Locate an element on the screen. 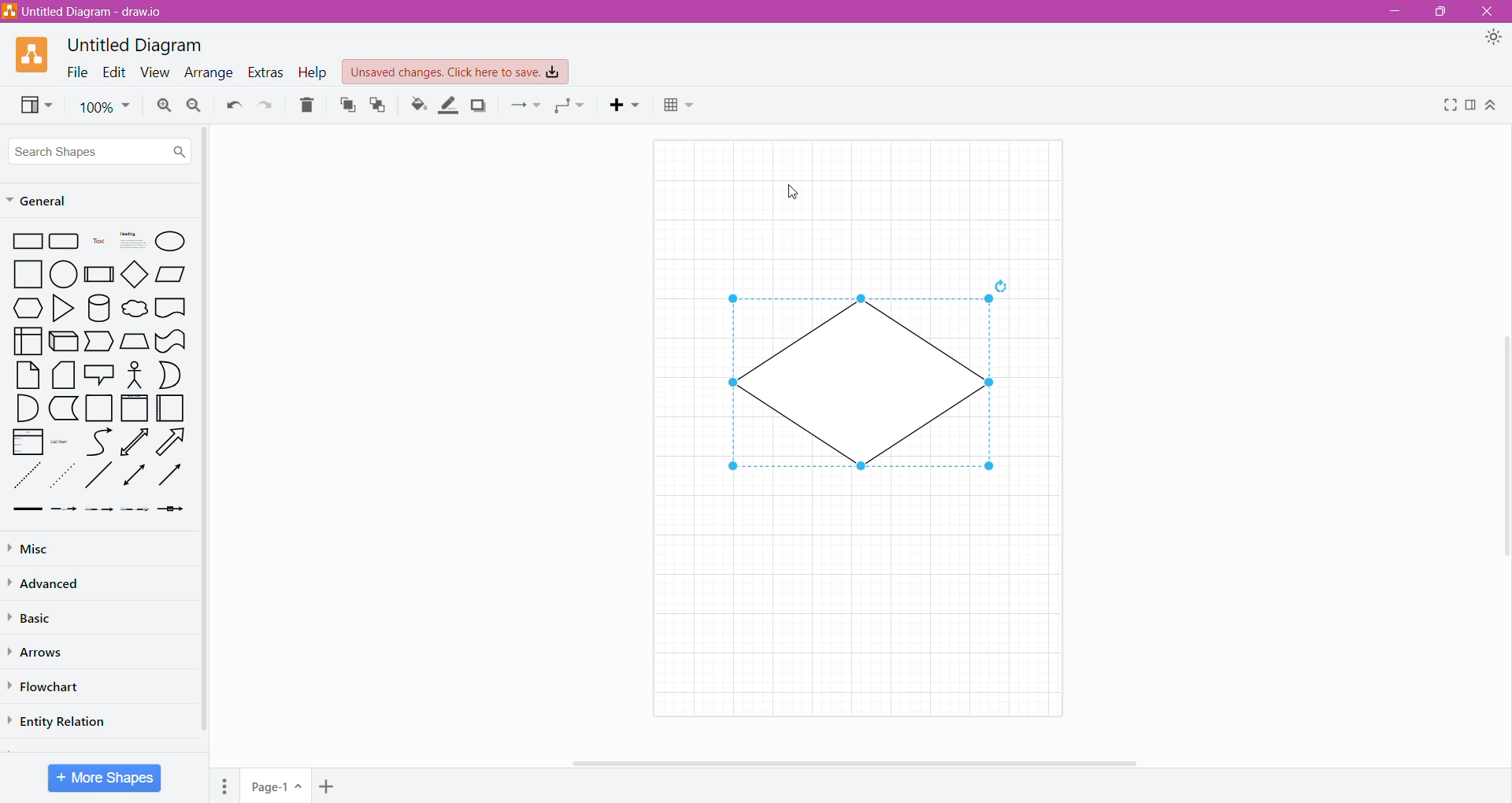  Restore Down is located at coordinates (1443, 12).